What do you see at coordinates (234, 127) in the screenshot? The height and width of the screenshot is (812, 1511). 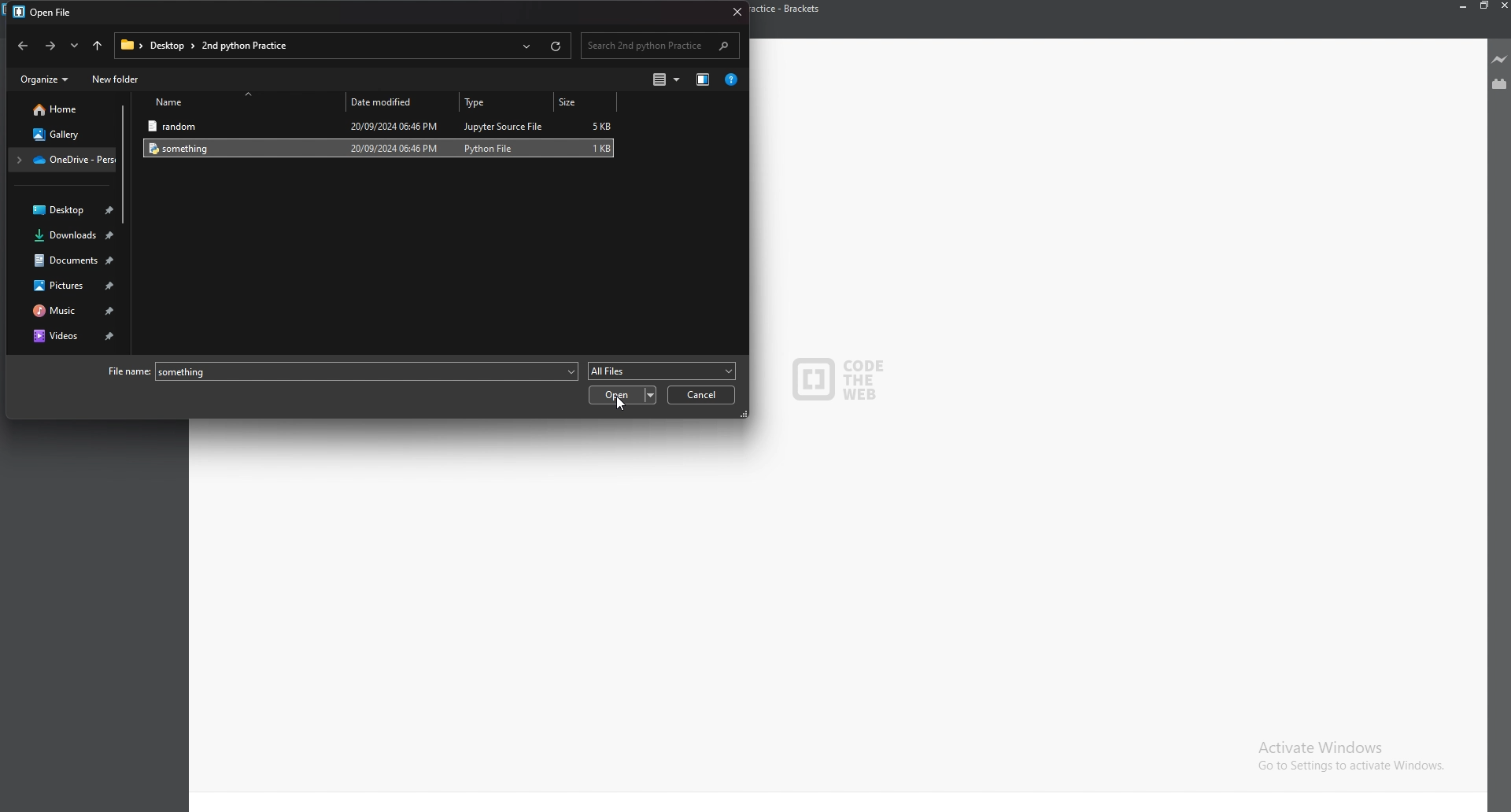 I see `random` at bounding box center [234, 127].